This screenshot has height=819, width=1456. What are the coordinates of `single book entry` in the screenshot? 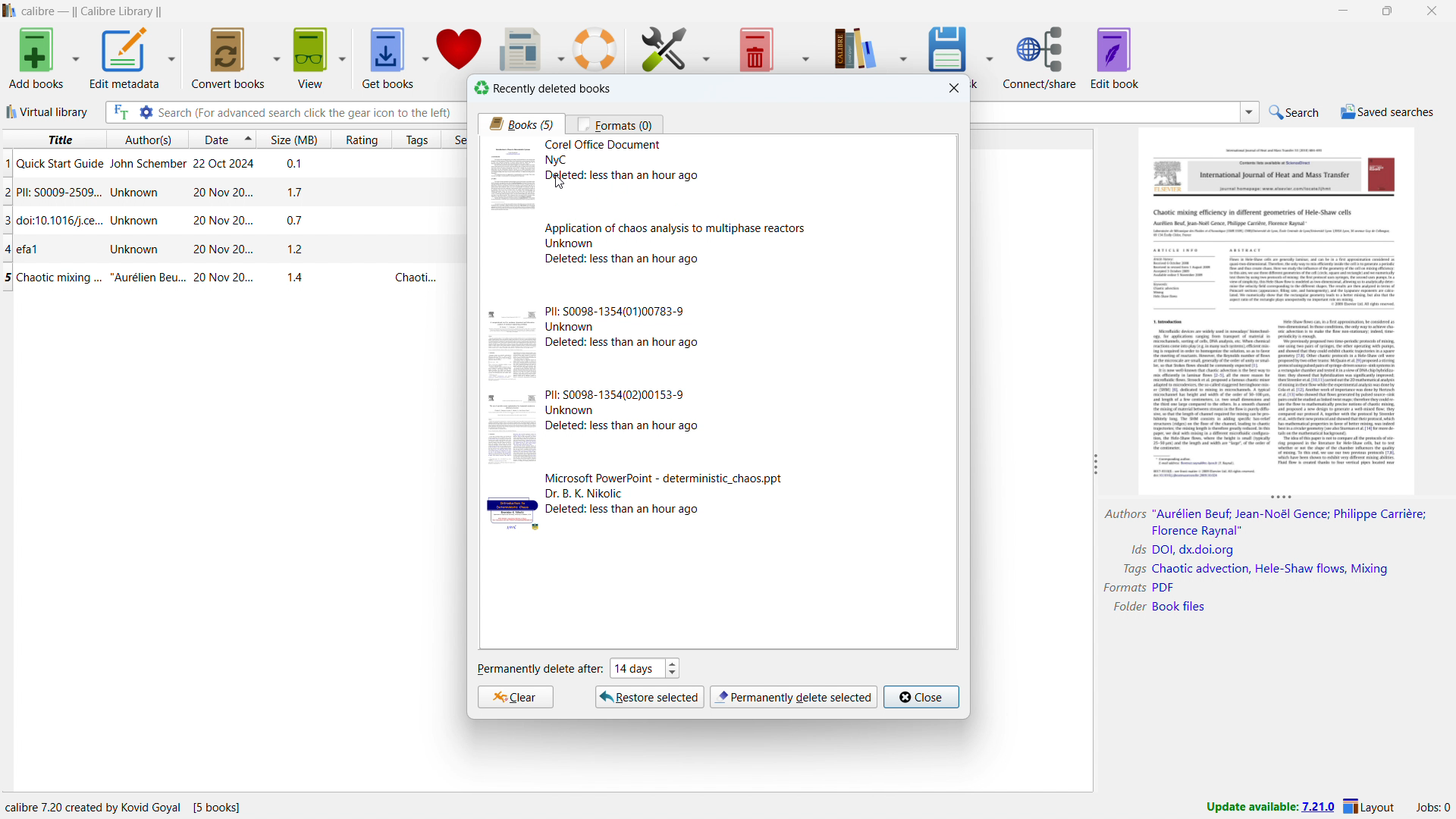 It's located at (226, 165).